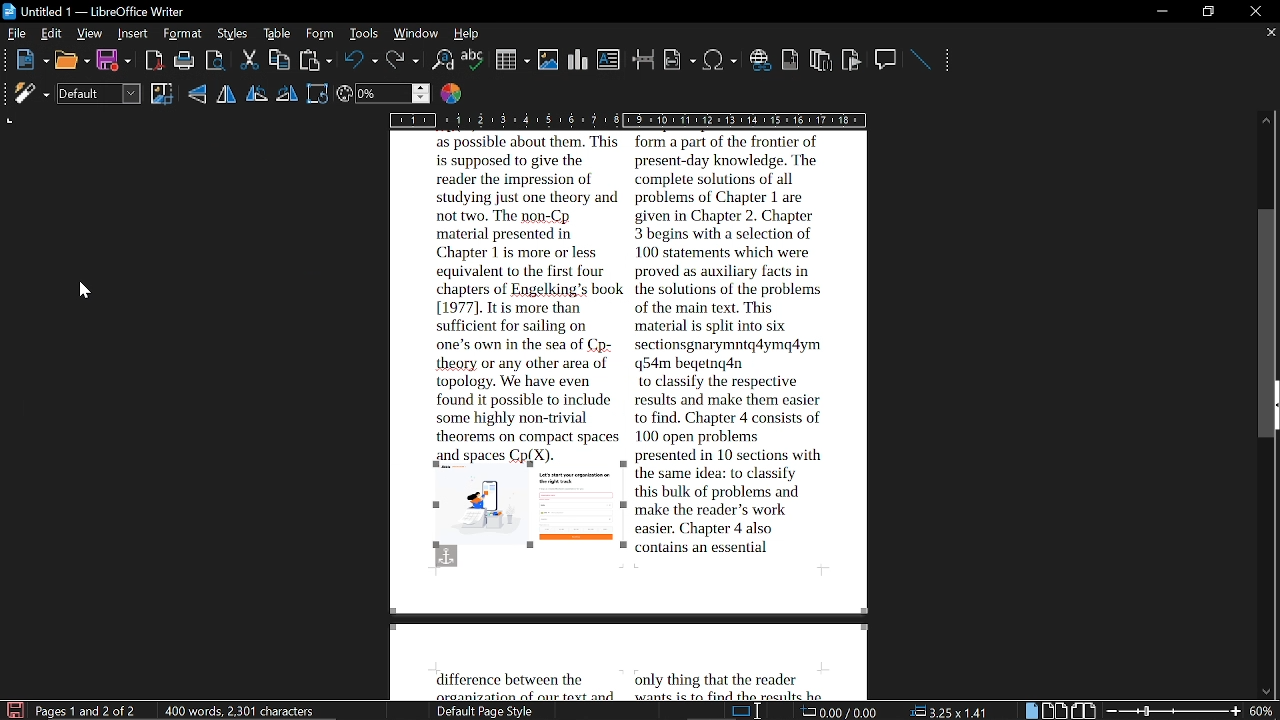 The image size is (1280, 720). I want to click on find and replace, so click(444, 59).